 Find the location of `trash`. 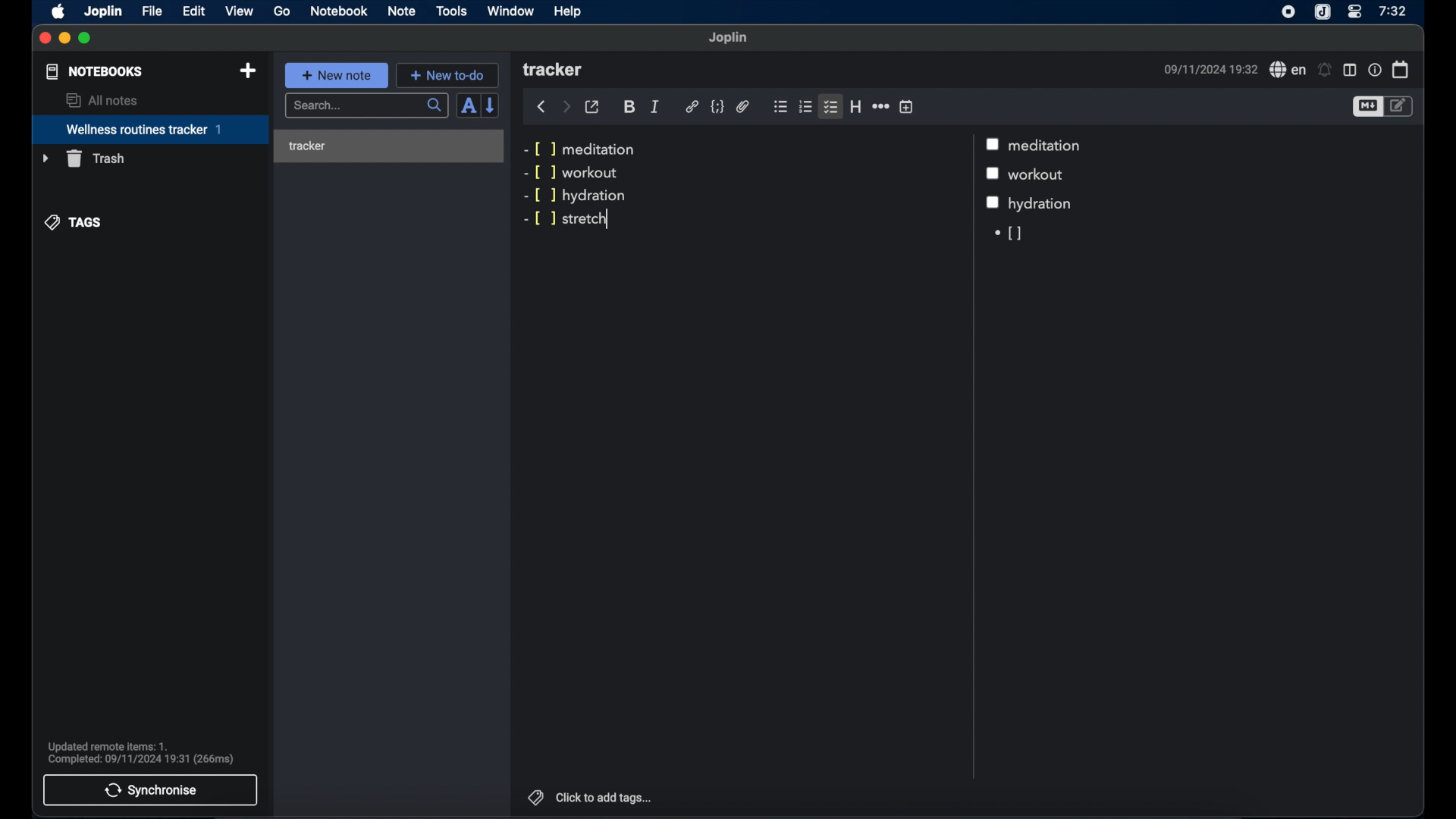

trash is located at coordinates (83, 158).